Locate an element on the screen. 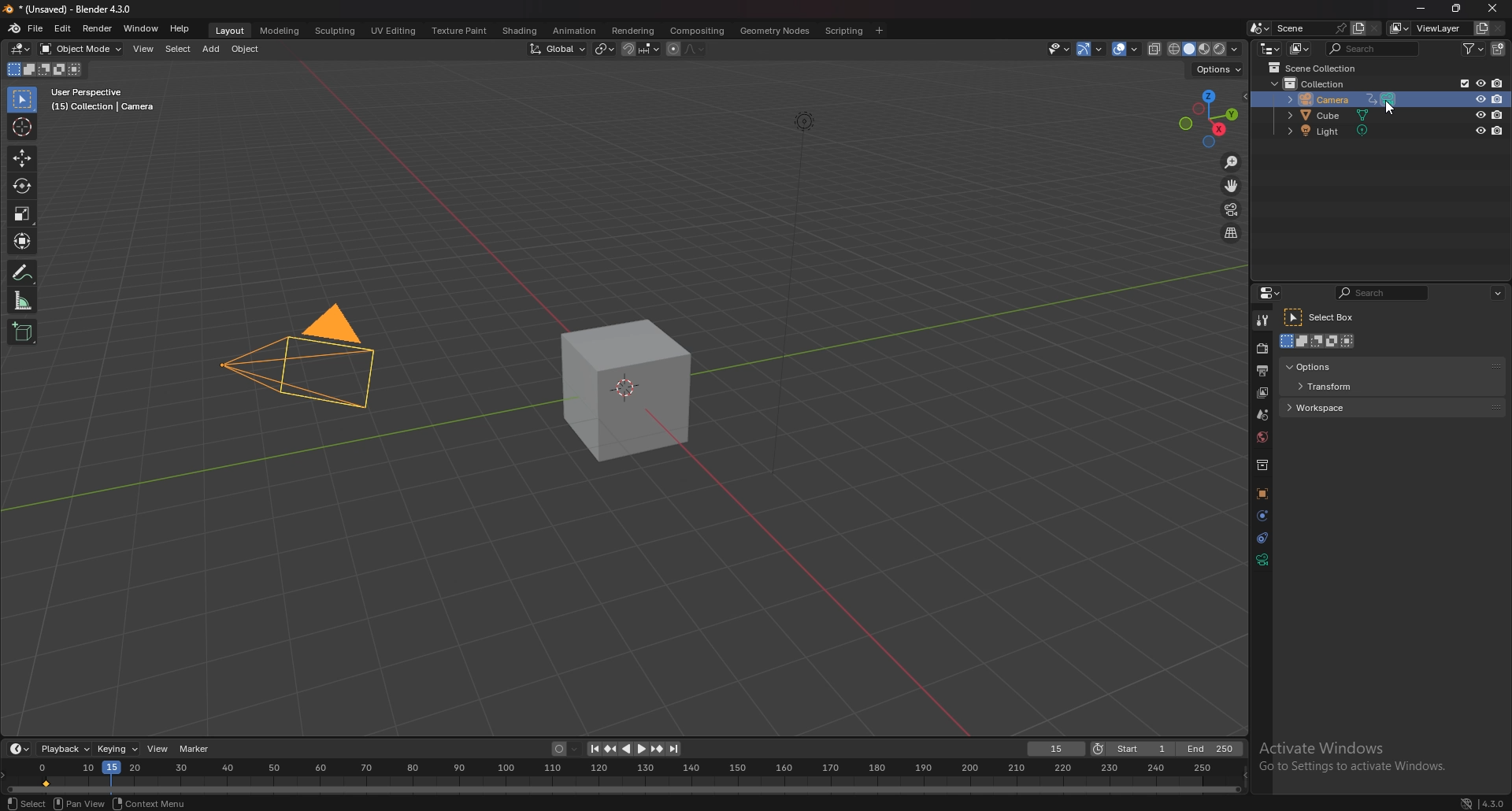  Rotate View is located at coordinates (83, 803).